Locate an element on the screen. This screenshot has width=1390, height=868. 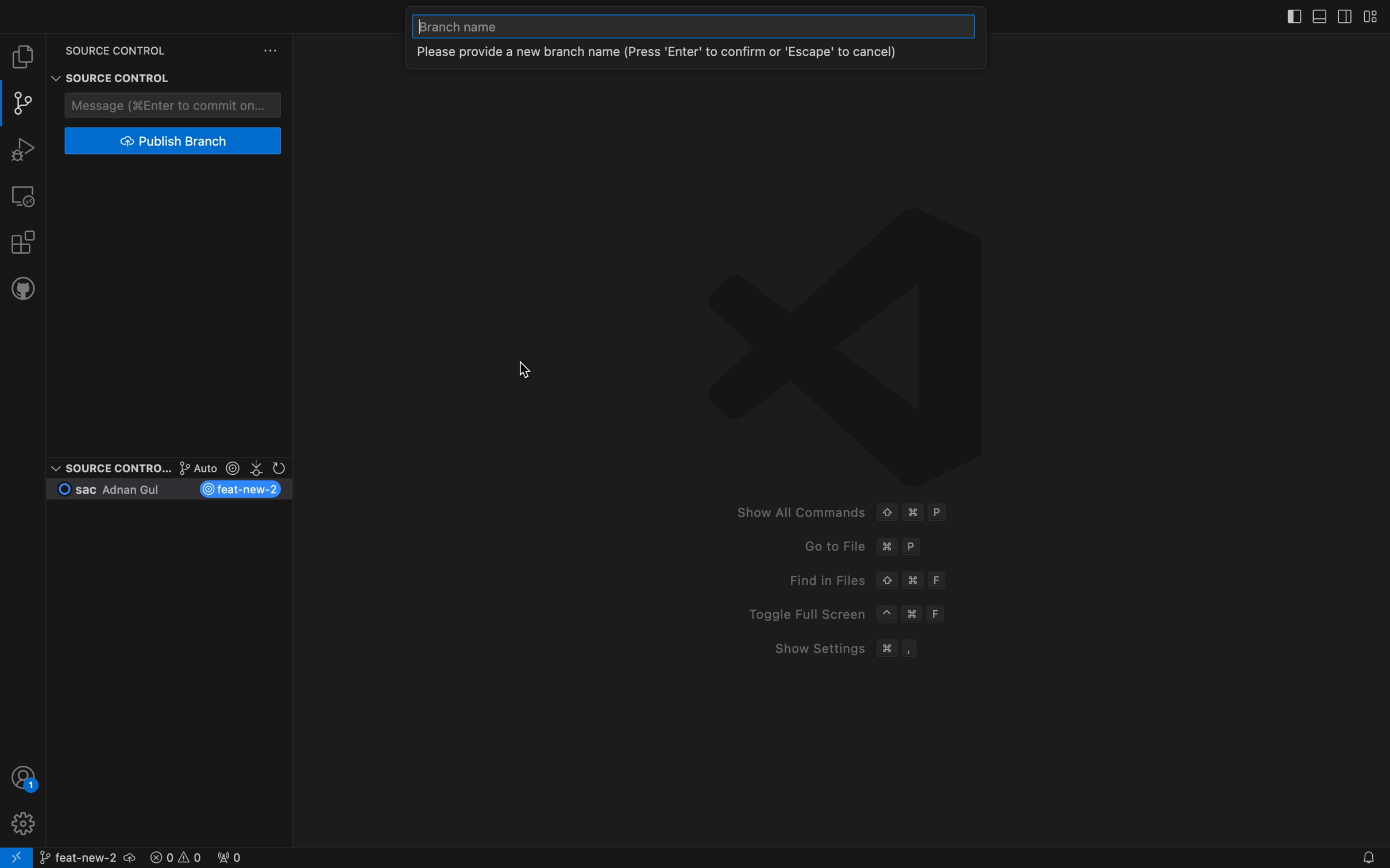
, is located at coordinates (912, 648).